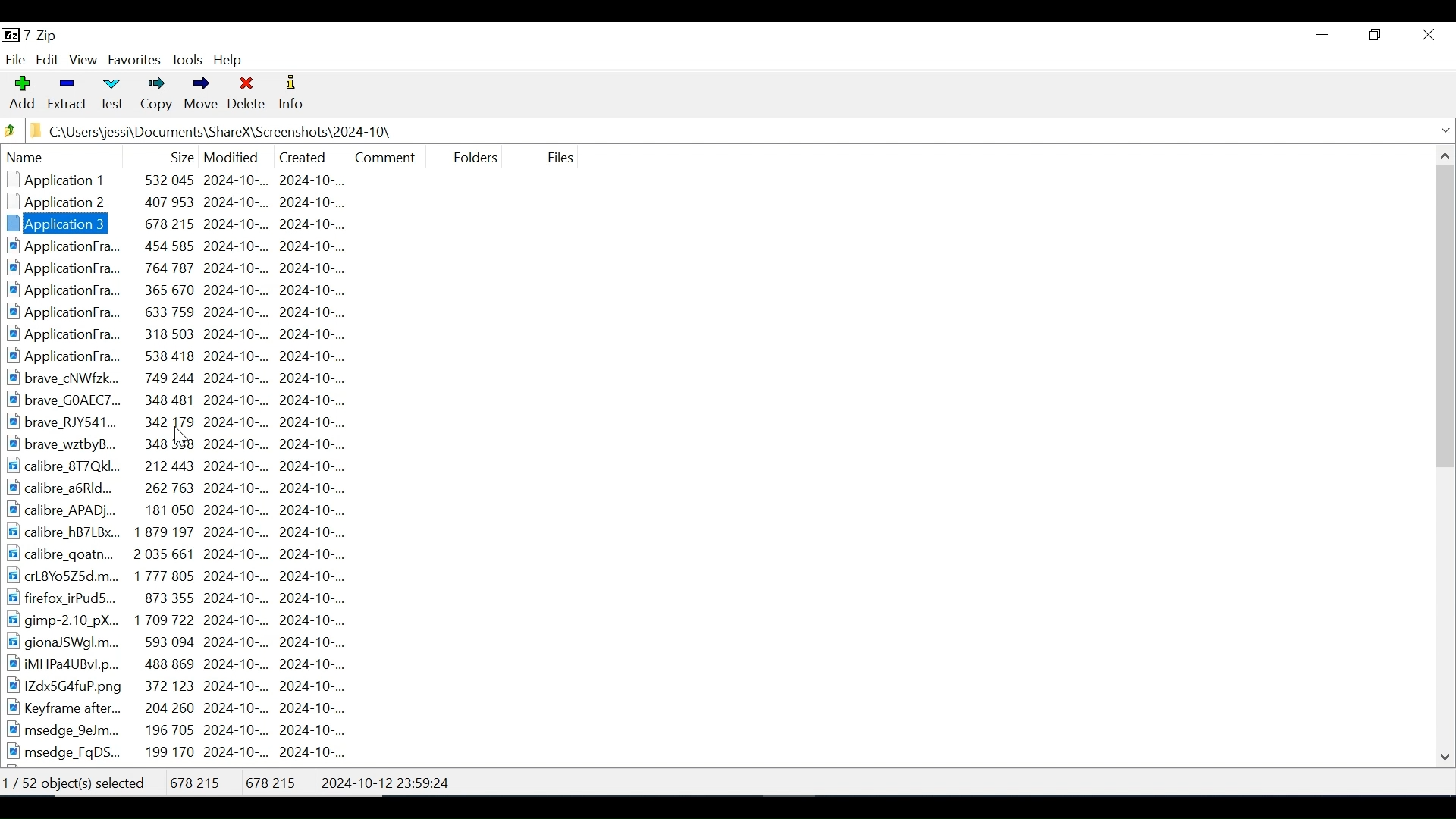 This screenshot has height=819, width=1456. What do you see at coordinates (192, 512) in the screenshot?
I see `calibre_APAD... 181 050 2024-10-.. 2024-10-...` at bounding box center [192, 512].